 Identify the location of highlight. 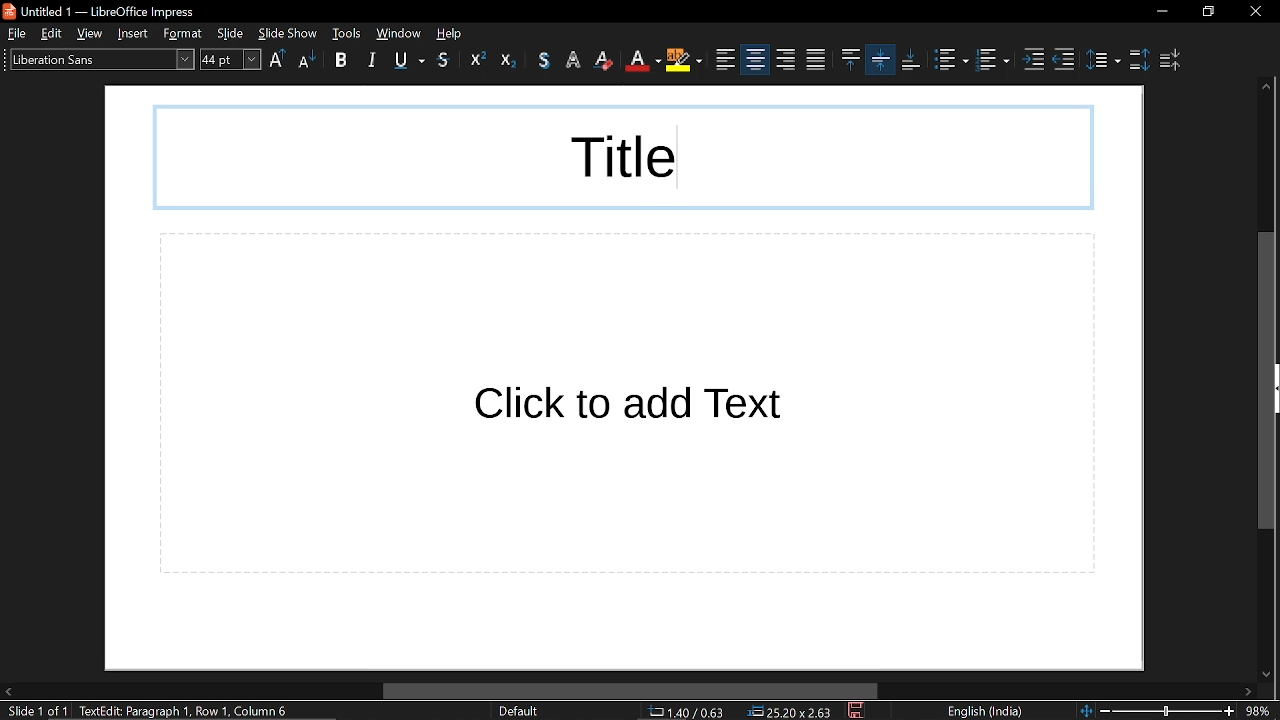
(644, 60).